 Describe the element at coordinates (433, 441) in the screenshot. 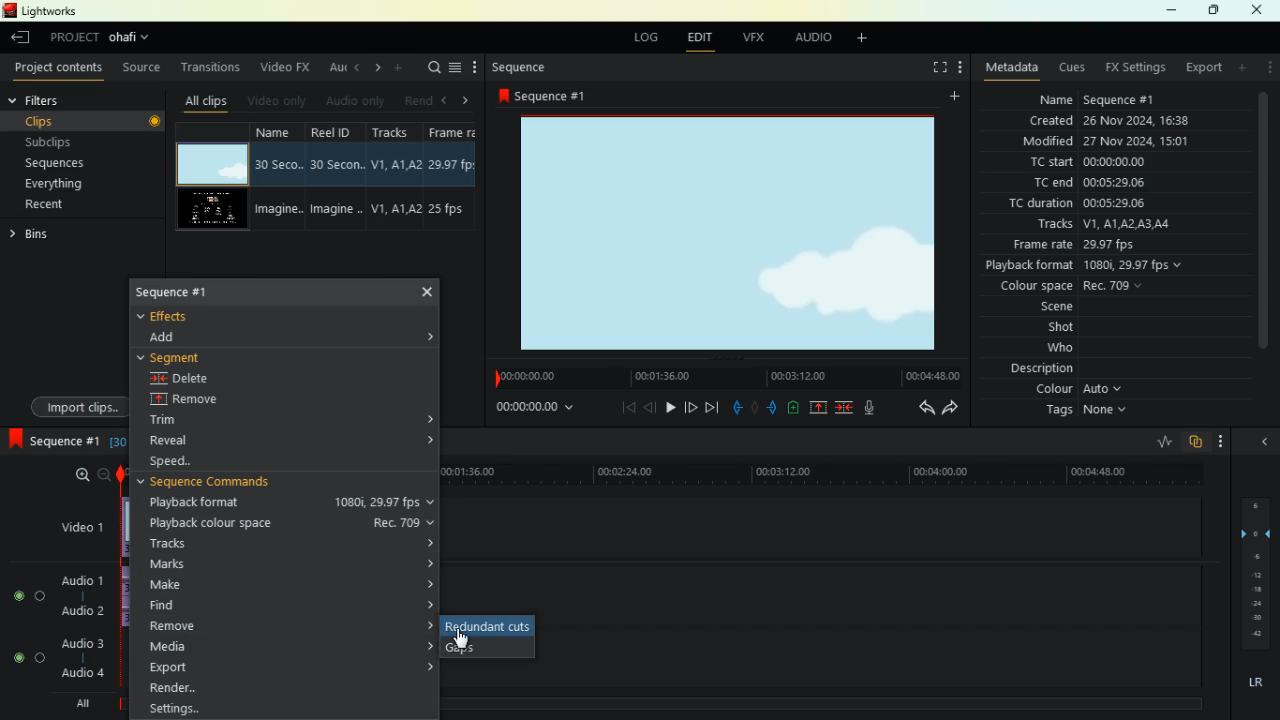

I see `Accordion` at that location.